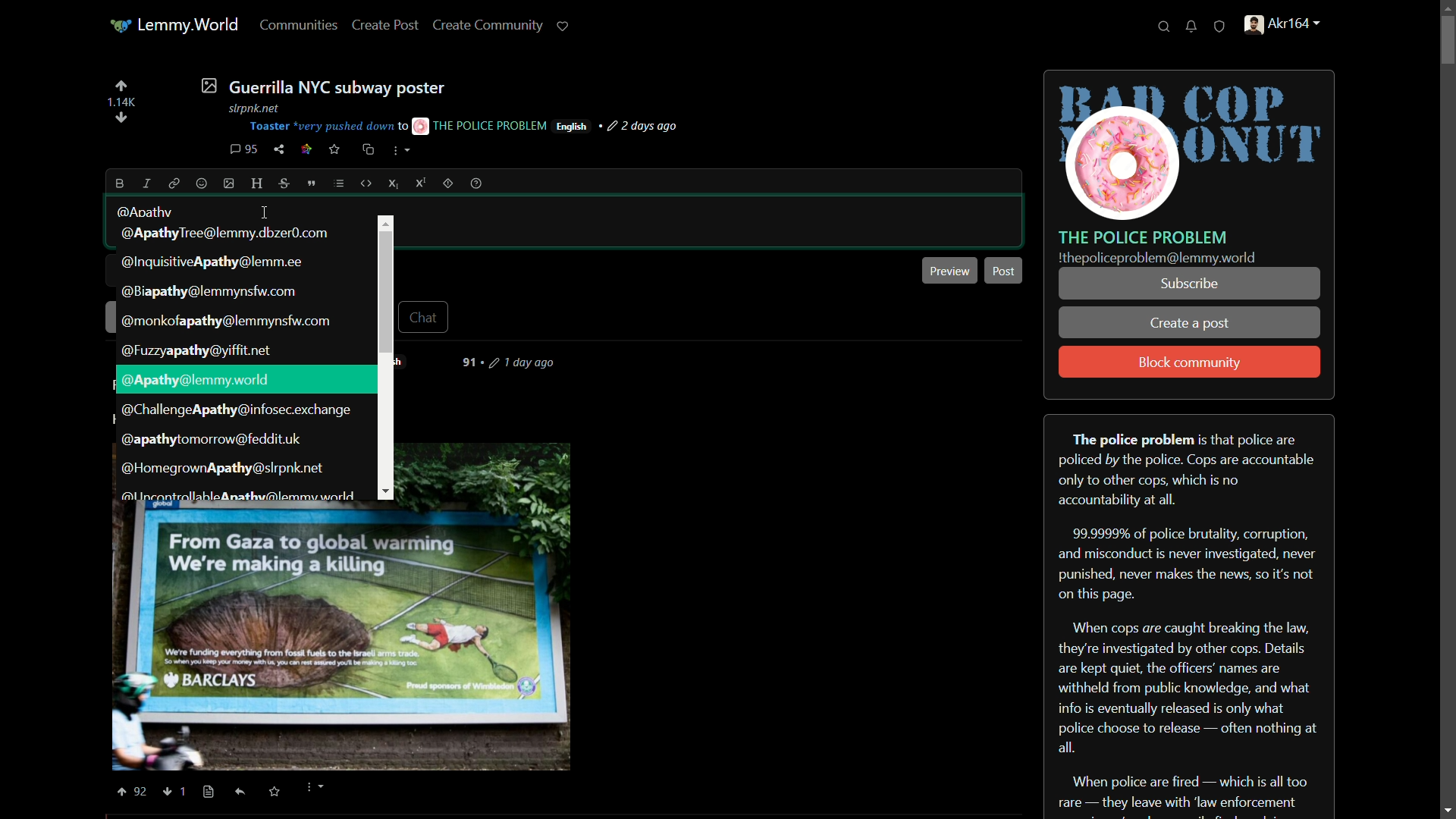 Image resolution: width=1456 pixels, height=819 pixels. I want to click on @Apathy, so click(146, 212).